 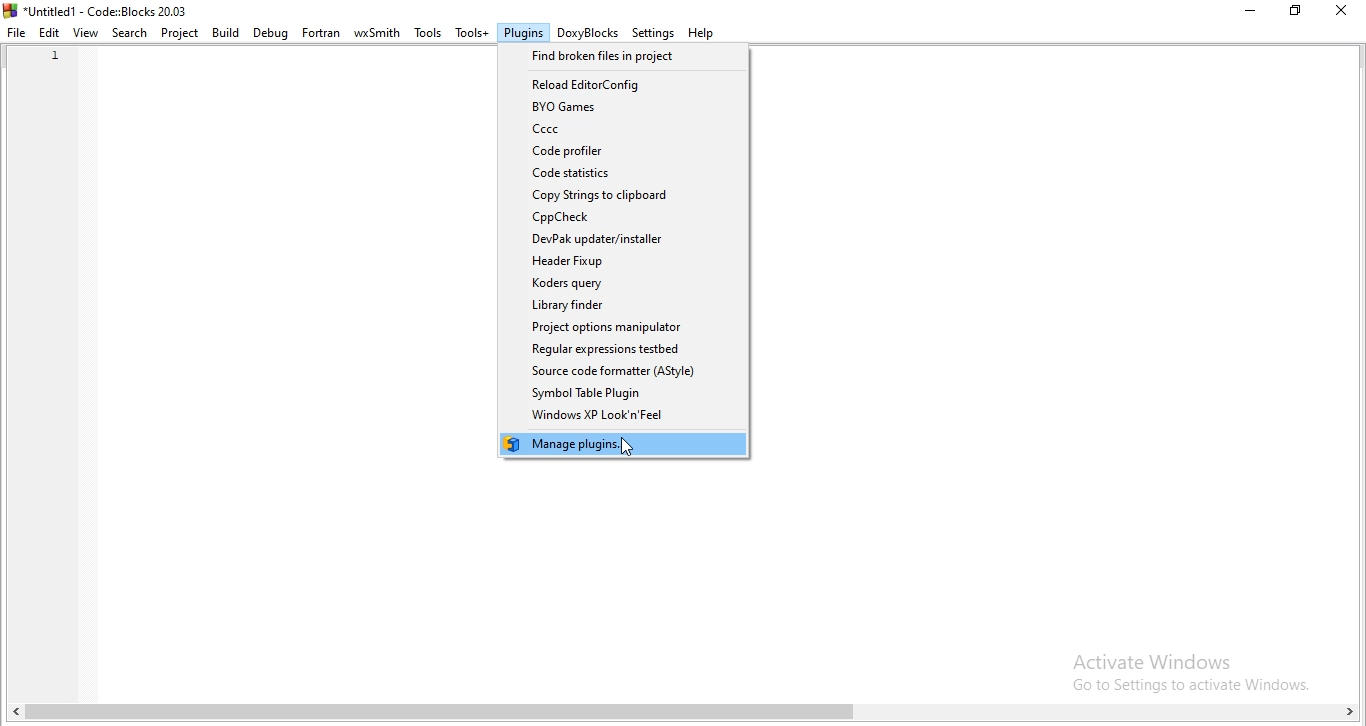 What do you see at coordinates (588, 32) in the screenshot?
I see `DoxyBlocks` at bounding box center [588, 32].